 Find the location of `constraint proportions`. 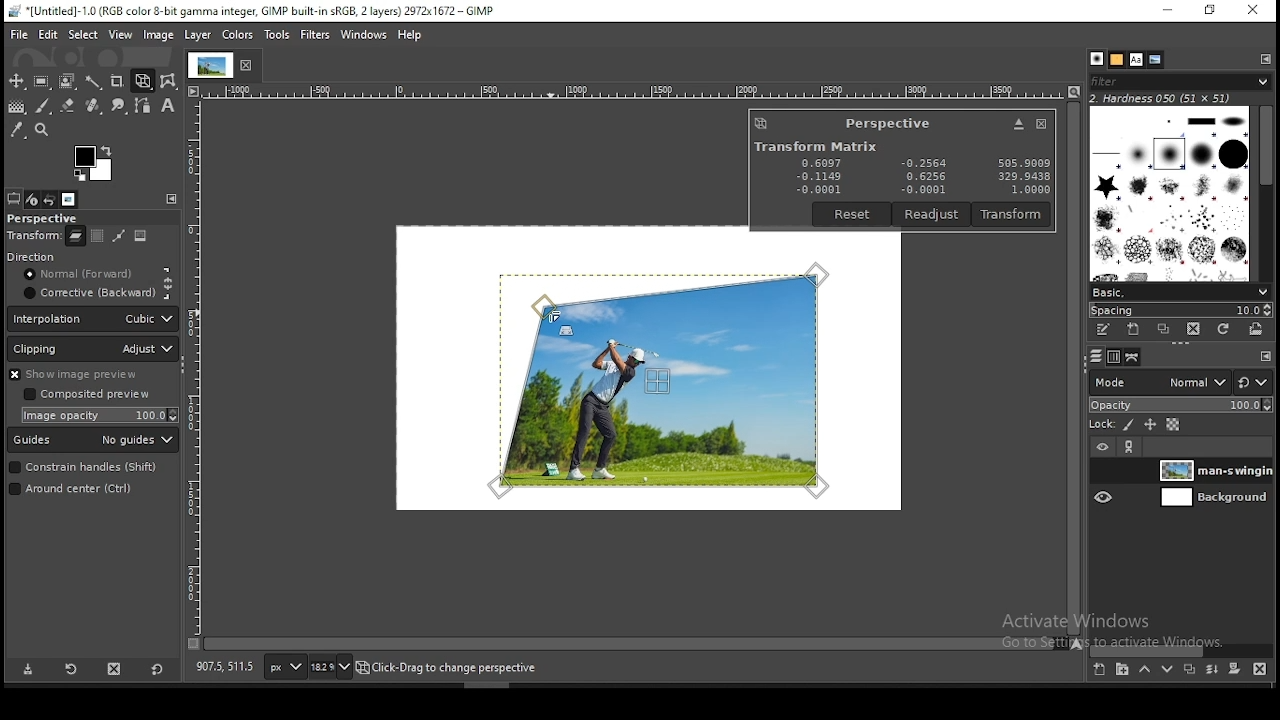

constraint proportions is located at coordinates (169, 282).